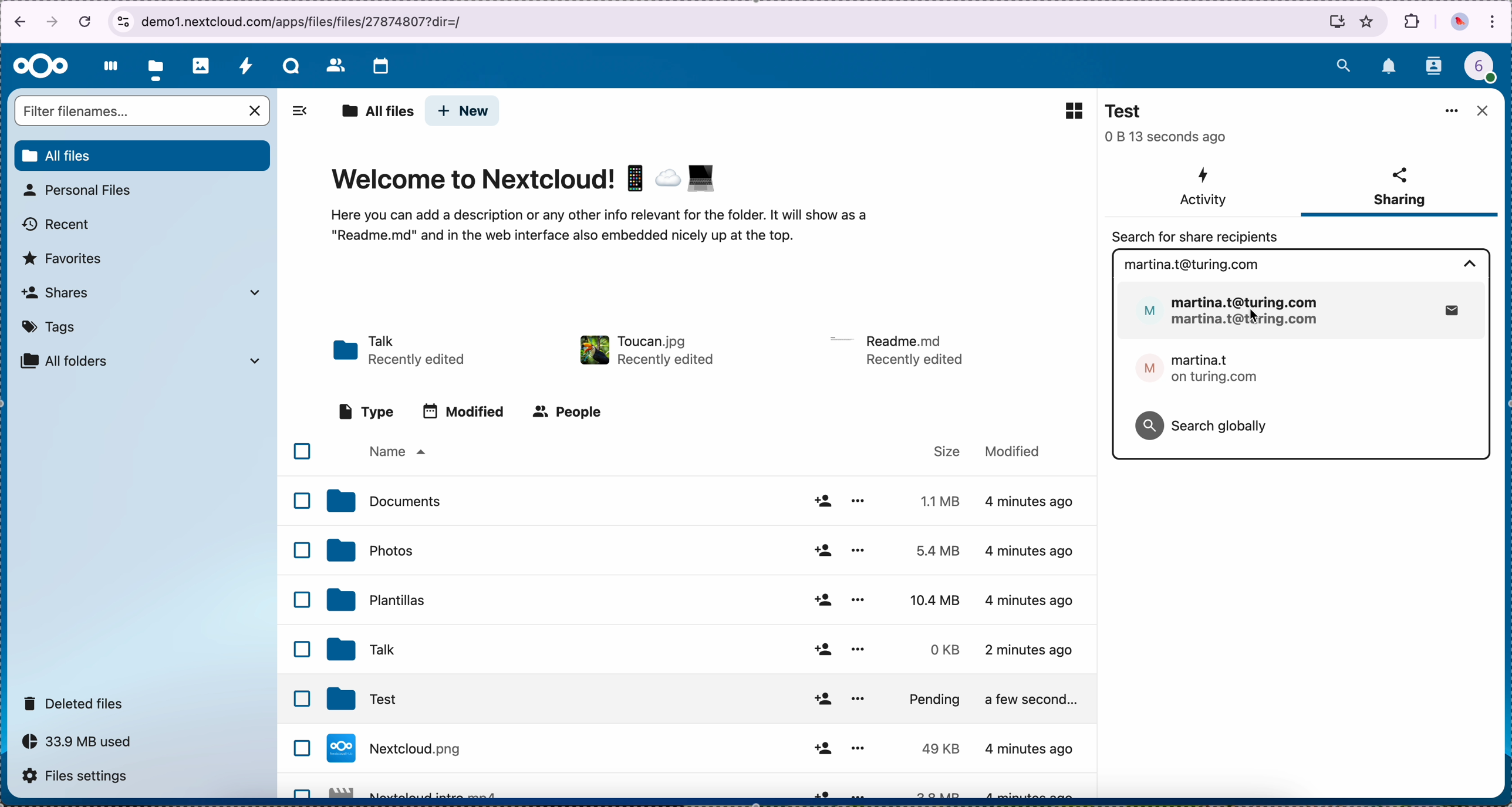 This screenshot has width=1512, height=807. Describe the element at coordinates (1190, 237) in the screenshot. I see `search for share recipients` at that location.